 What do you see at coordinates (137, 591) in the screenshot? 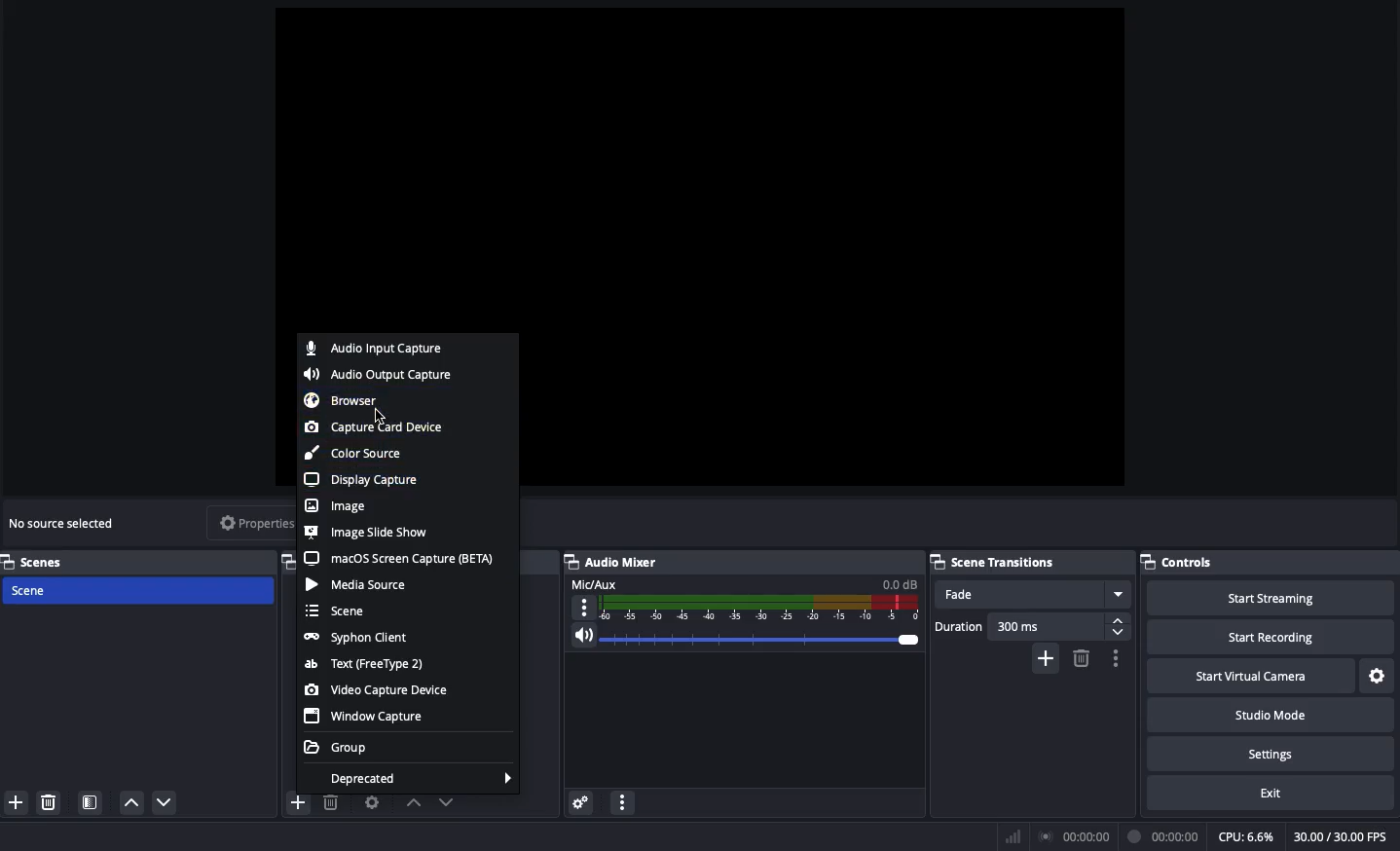
I see `Scene` at bounding box center [137, 591].